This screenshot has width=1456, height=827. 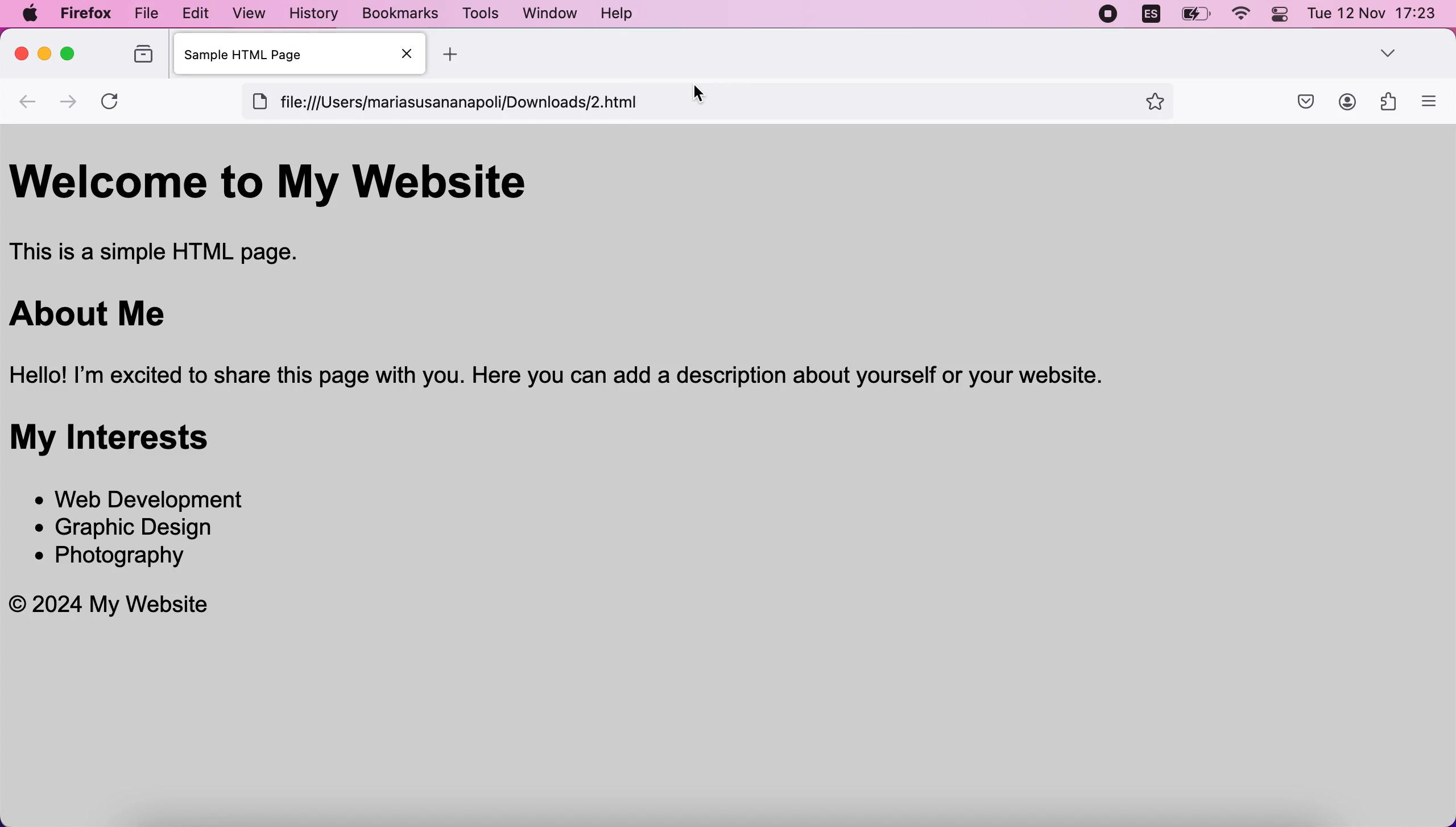 I want to click on maximizw, so click(x=72, y=56).